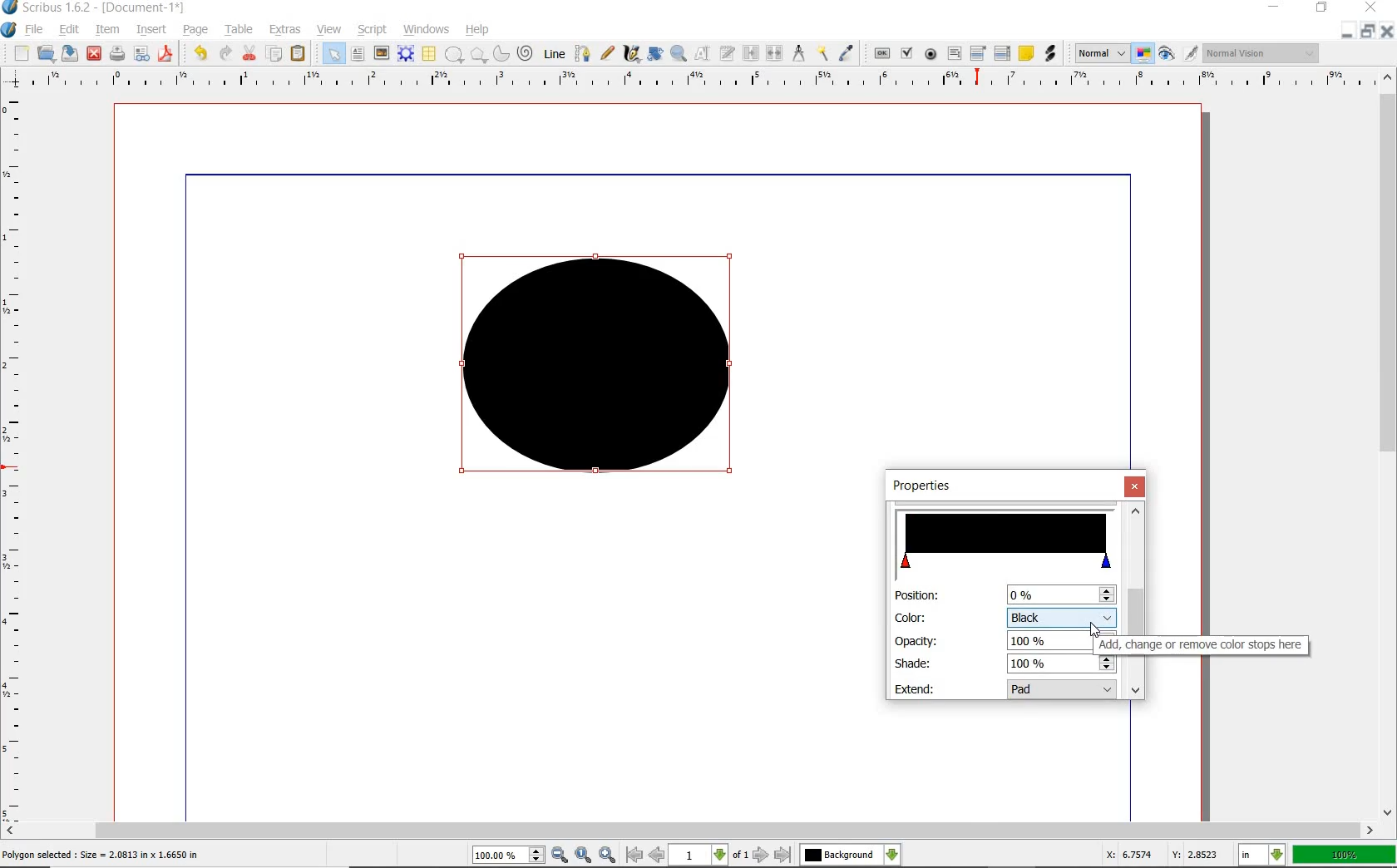 This screenshot has width=1397, height=868. I want to click on NEW, so click(21, 53).